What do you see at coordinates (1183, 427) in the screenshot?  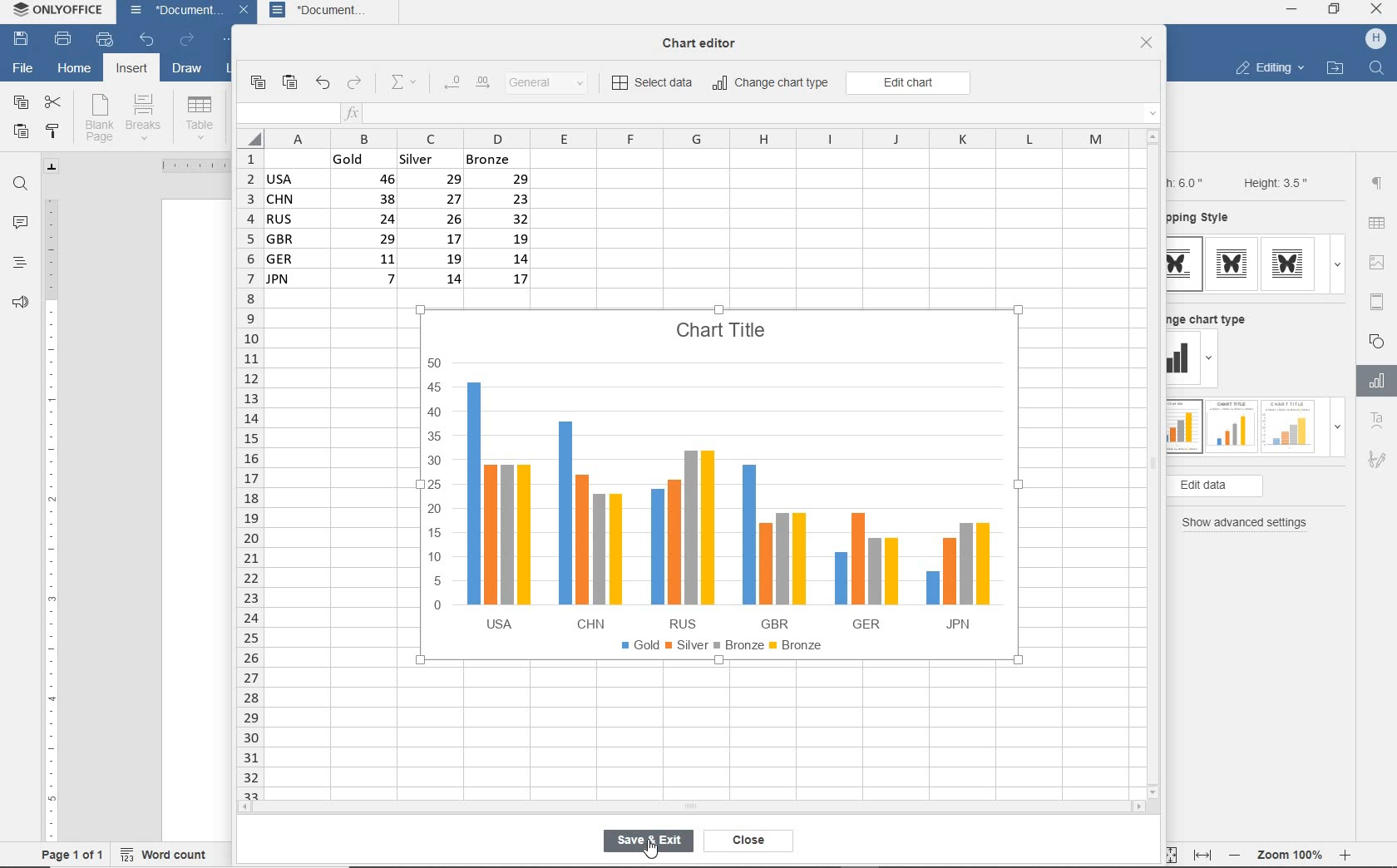 I see `type 1 ` at bounding box center [1183, 427].